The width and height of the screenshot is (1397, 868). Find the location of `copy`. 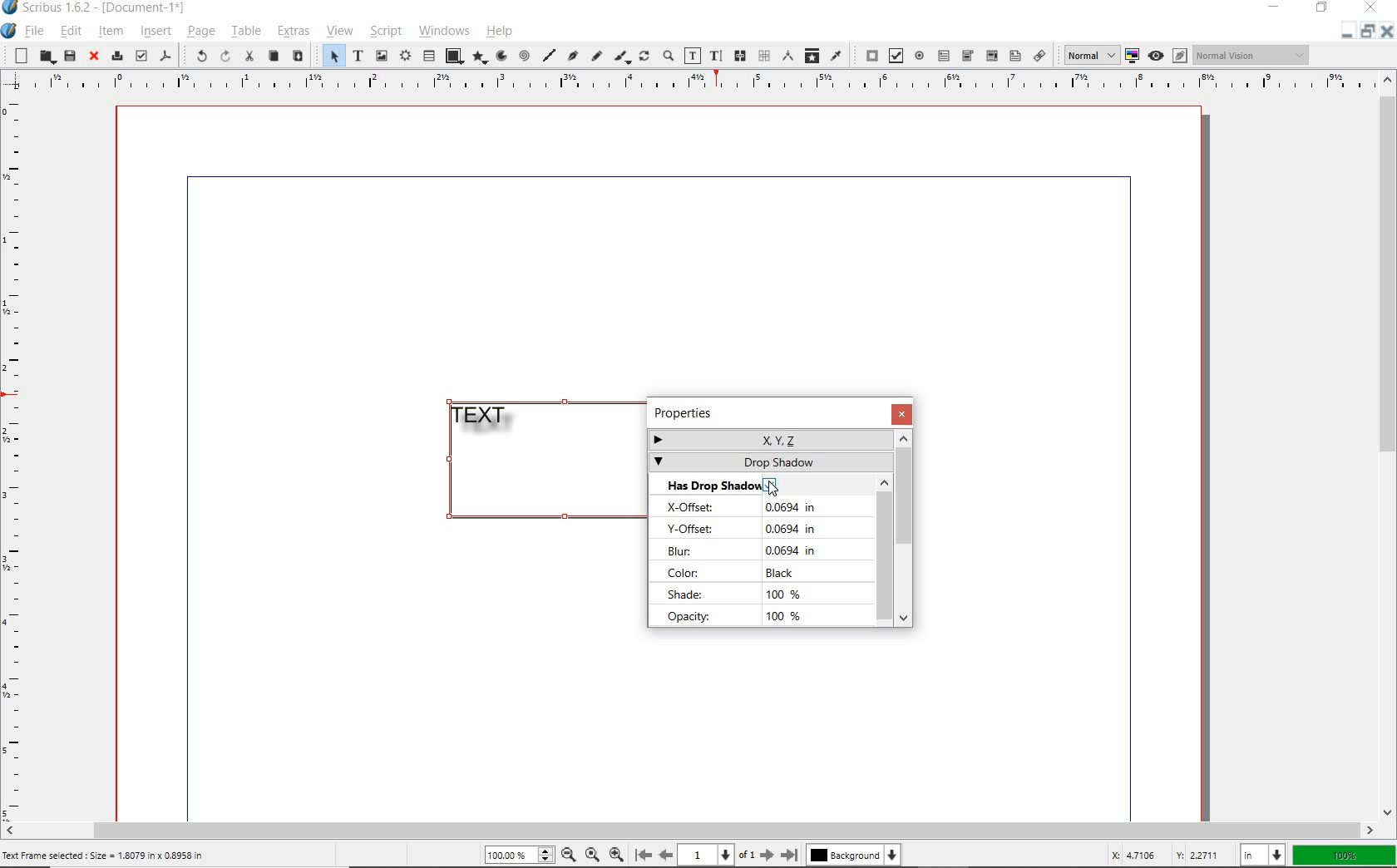

copy is located at coordinates (274, 57).